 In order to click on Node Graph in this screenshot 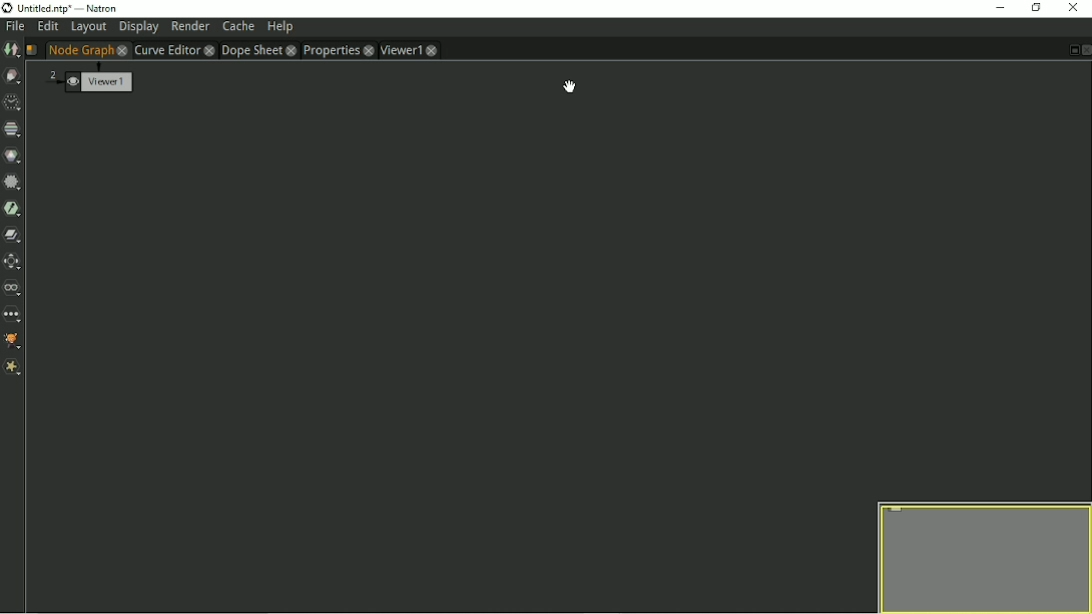, I will do `click(80, 50)`.